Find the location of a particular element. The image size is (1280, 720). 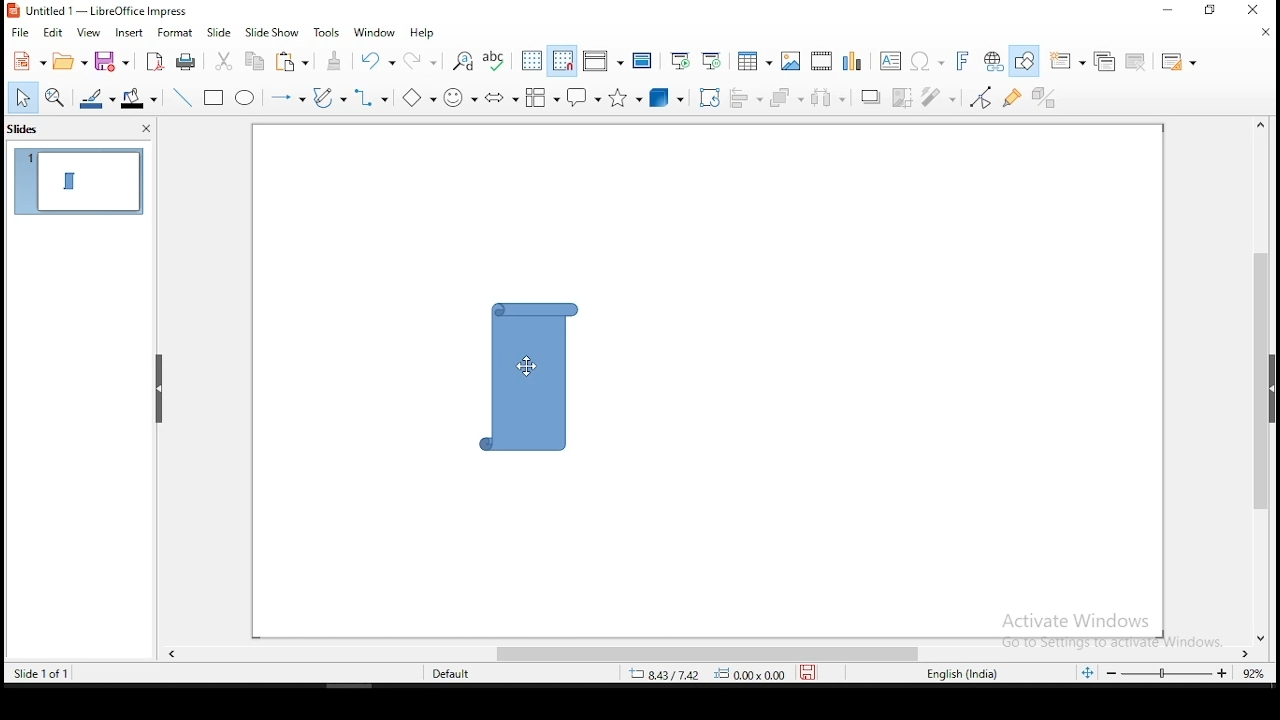

callout shapes is located at coordinates (581, 98).